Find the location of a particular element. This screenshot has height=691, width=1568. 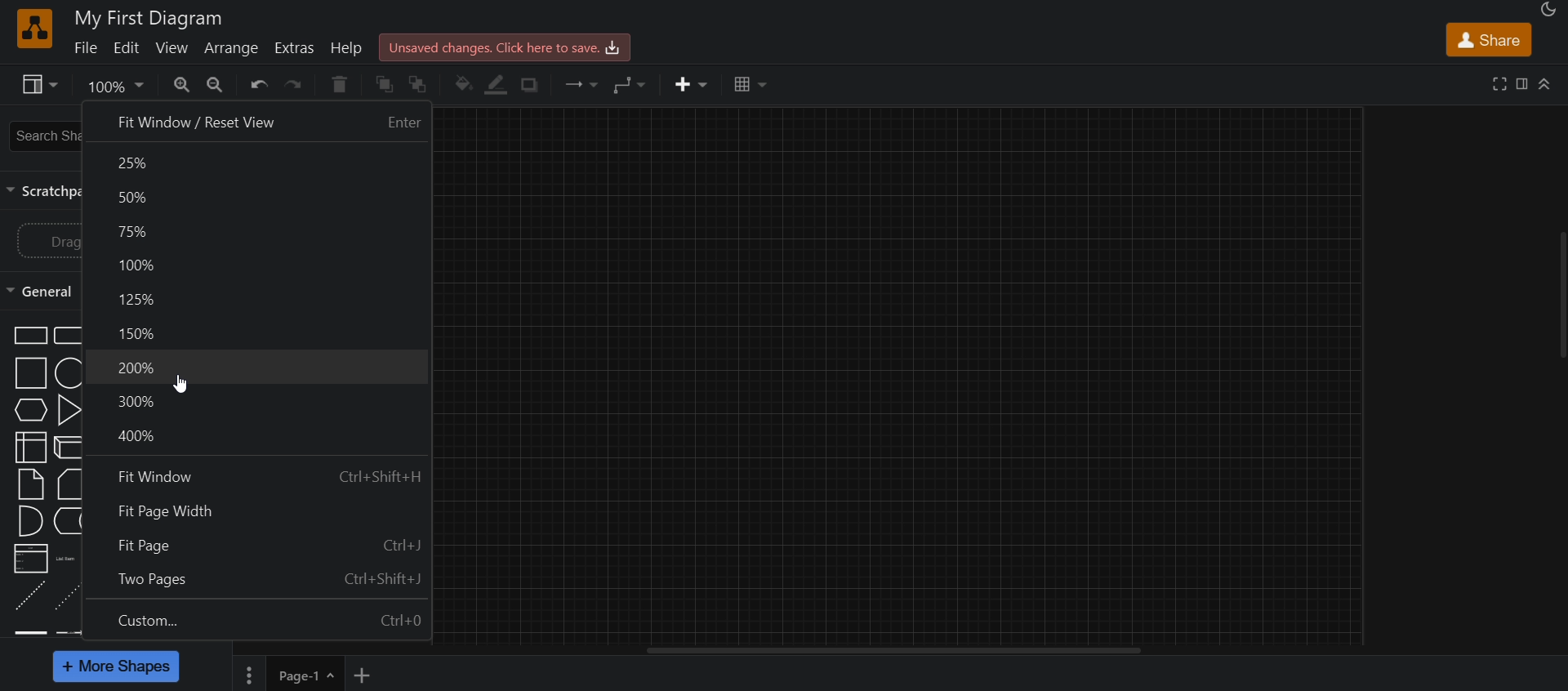

zoom out is located at coordinates (221, 86).